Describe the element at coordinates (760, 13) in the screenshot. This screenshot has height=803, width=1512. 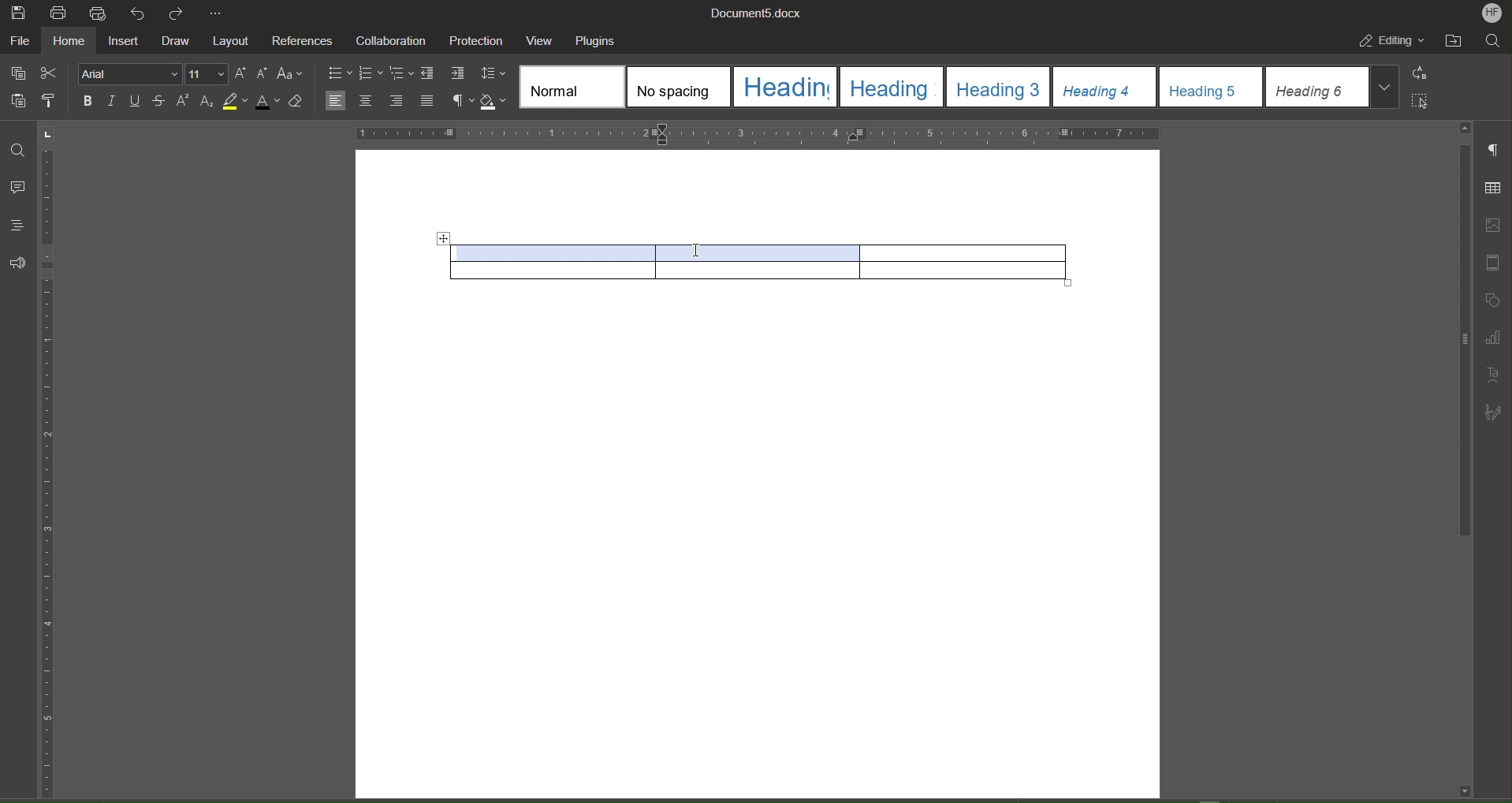
I see `Document Name` at that location.